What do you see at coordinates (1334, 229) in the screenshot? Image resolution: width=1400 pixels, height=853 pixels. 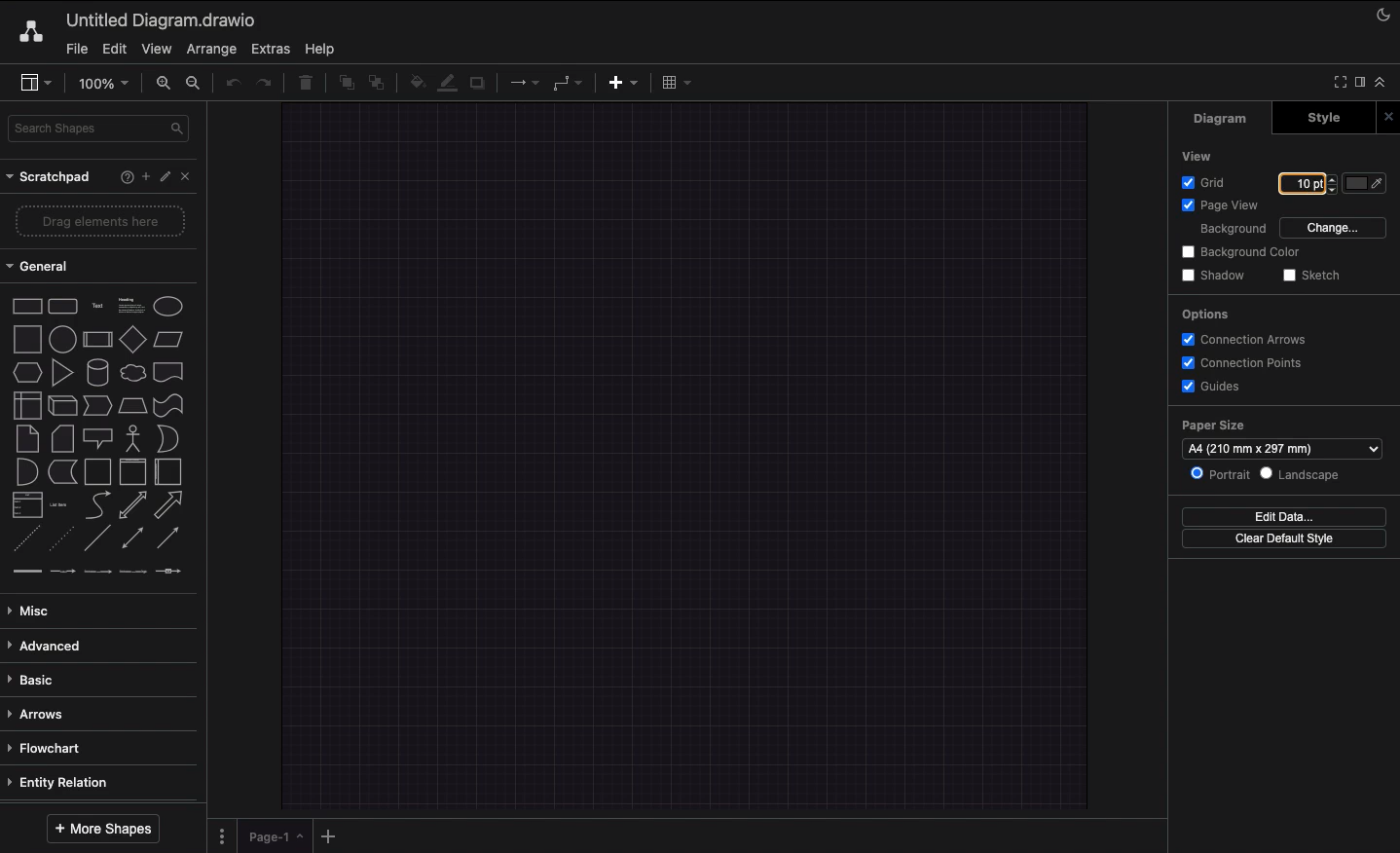 I see `Change` at bounding box center [1334, 229].